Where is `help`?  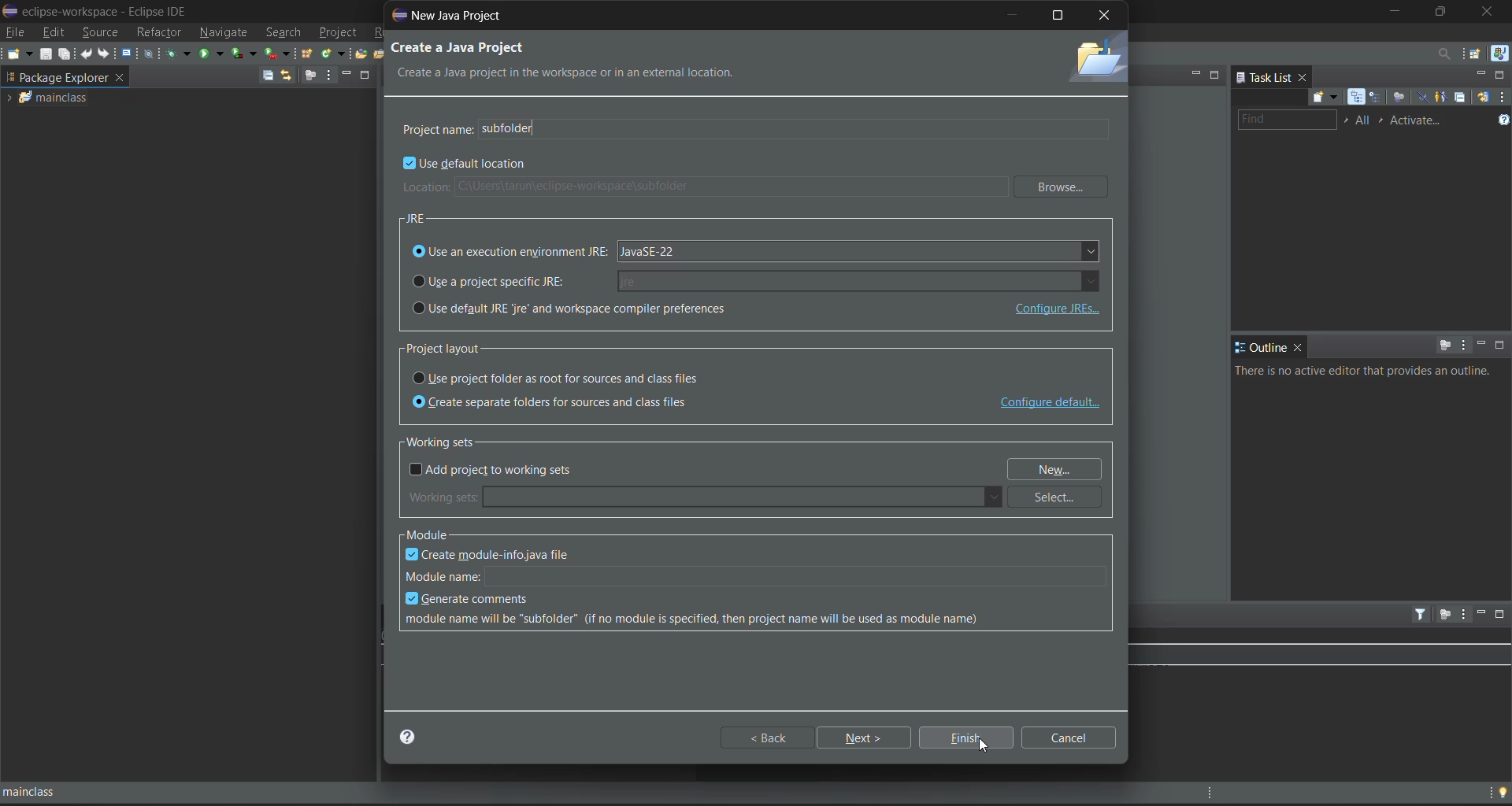
help is located at coordinates (415, 738).